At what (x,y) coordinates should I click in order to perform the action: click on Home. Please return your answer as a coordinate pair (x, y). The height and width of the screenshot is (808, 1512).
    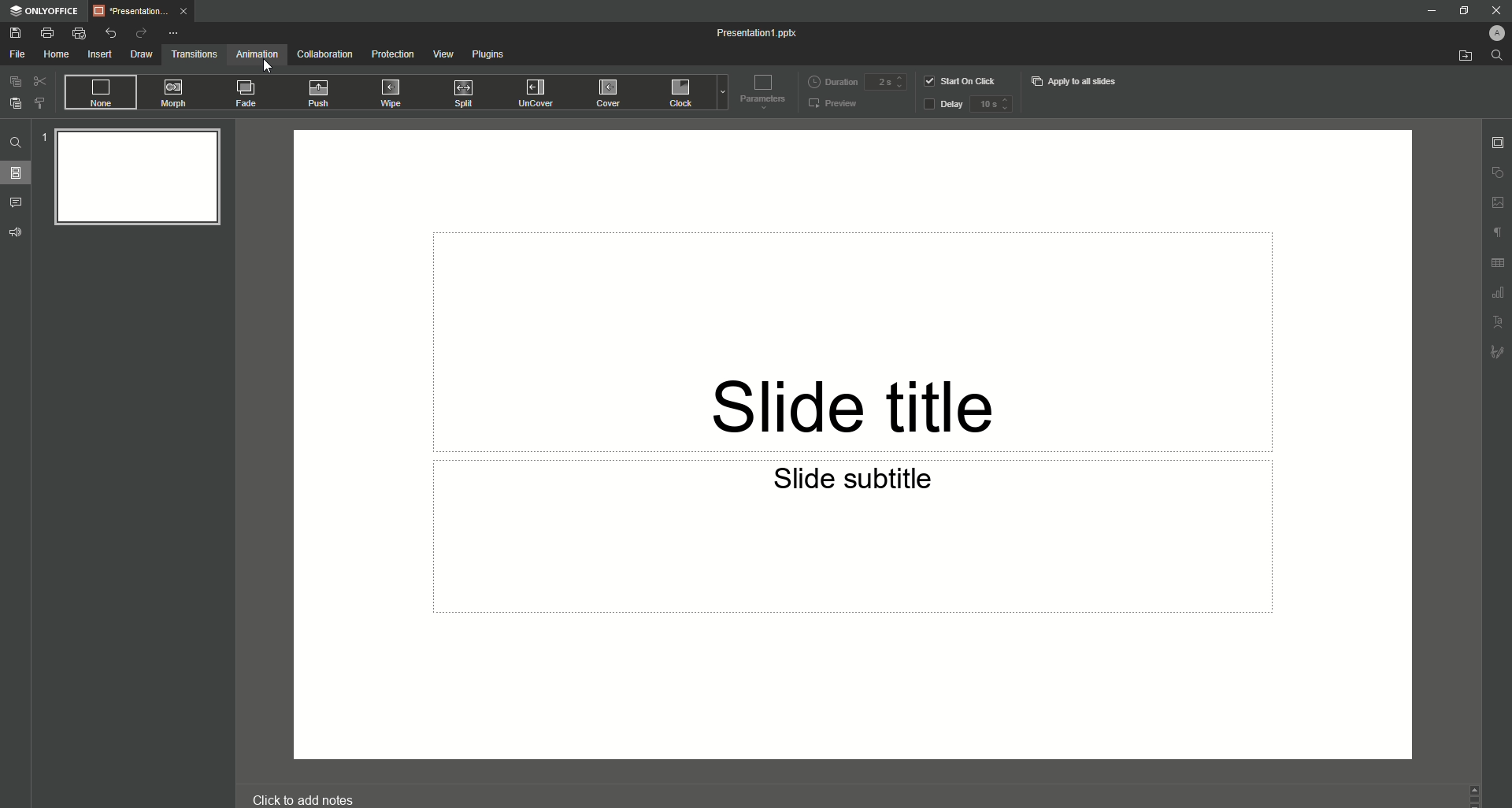
    Looking at the image, I should click on (52, 54).